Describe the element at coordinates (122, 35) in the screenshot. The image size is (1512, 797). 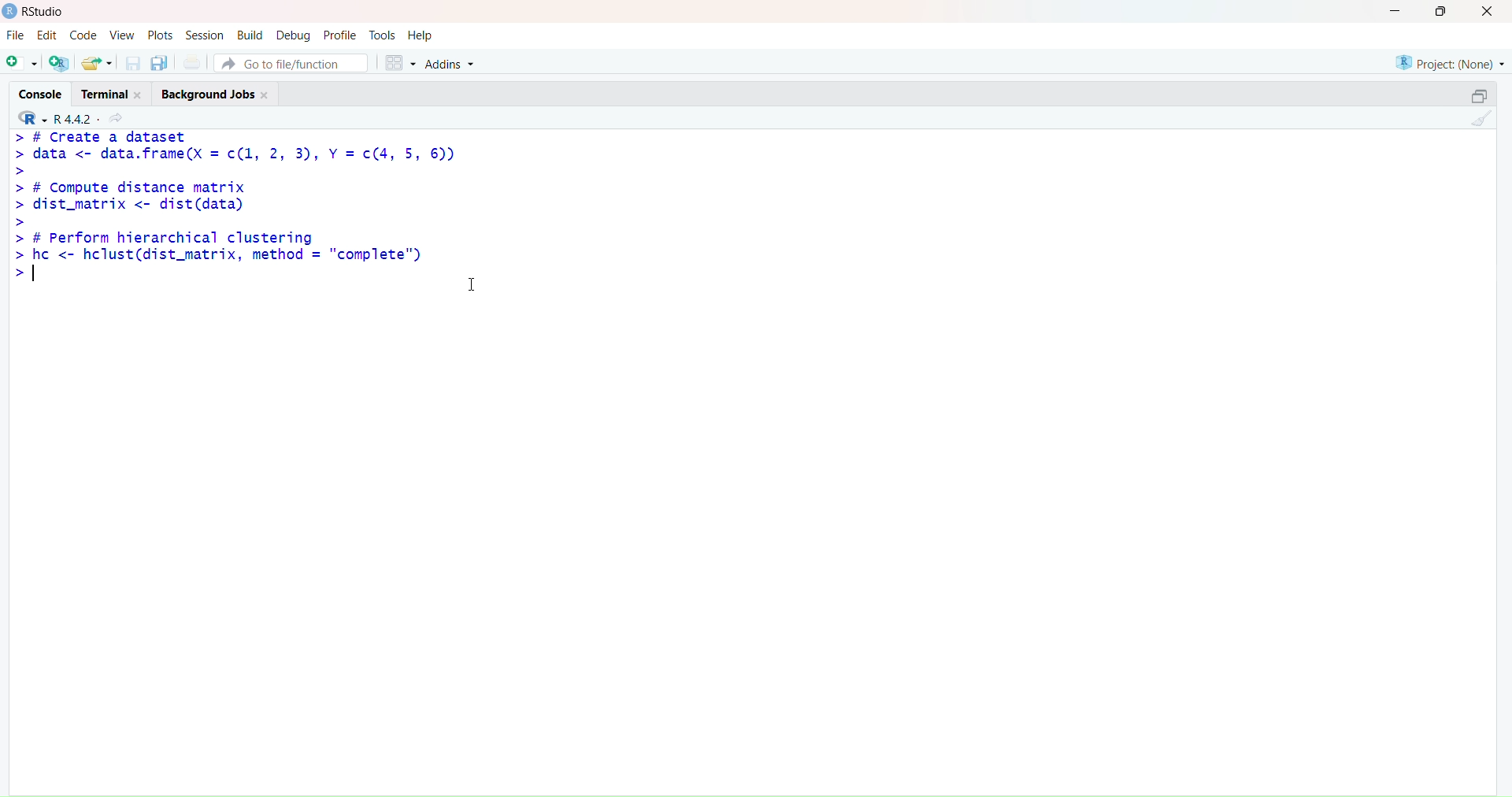
I see `View` at that location.